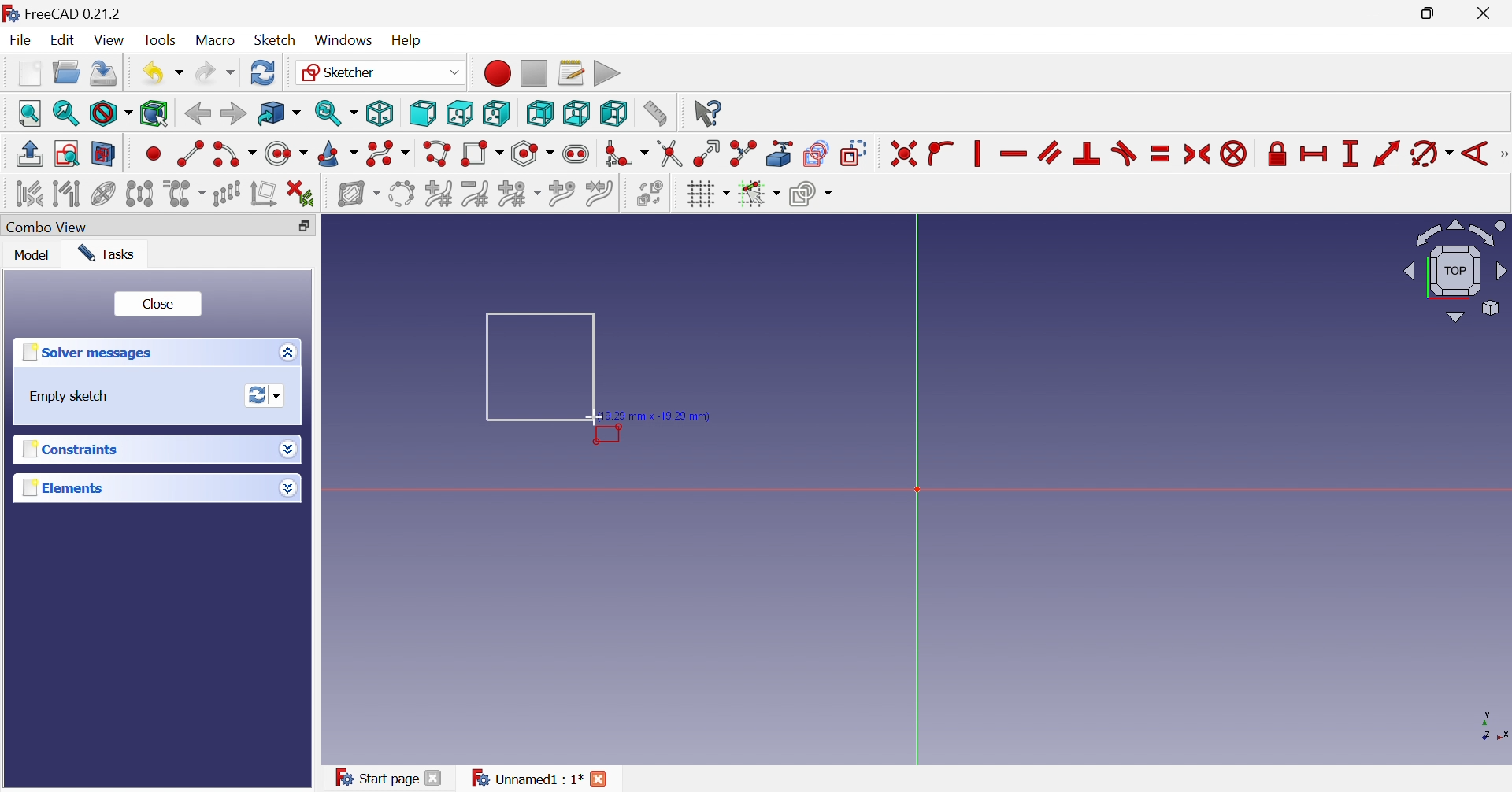  What do you see at coordinates (263, 72) in the screenshot?
I see `Refresh` at bounding box center [263, 72].